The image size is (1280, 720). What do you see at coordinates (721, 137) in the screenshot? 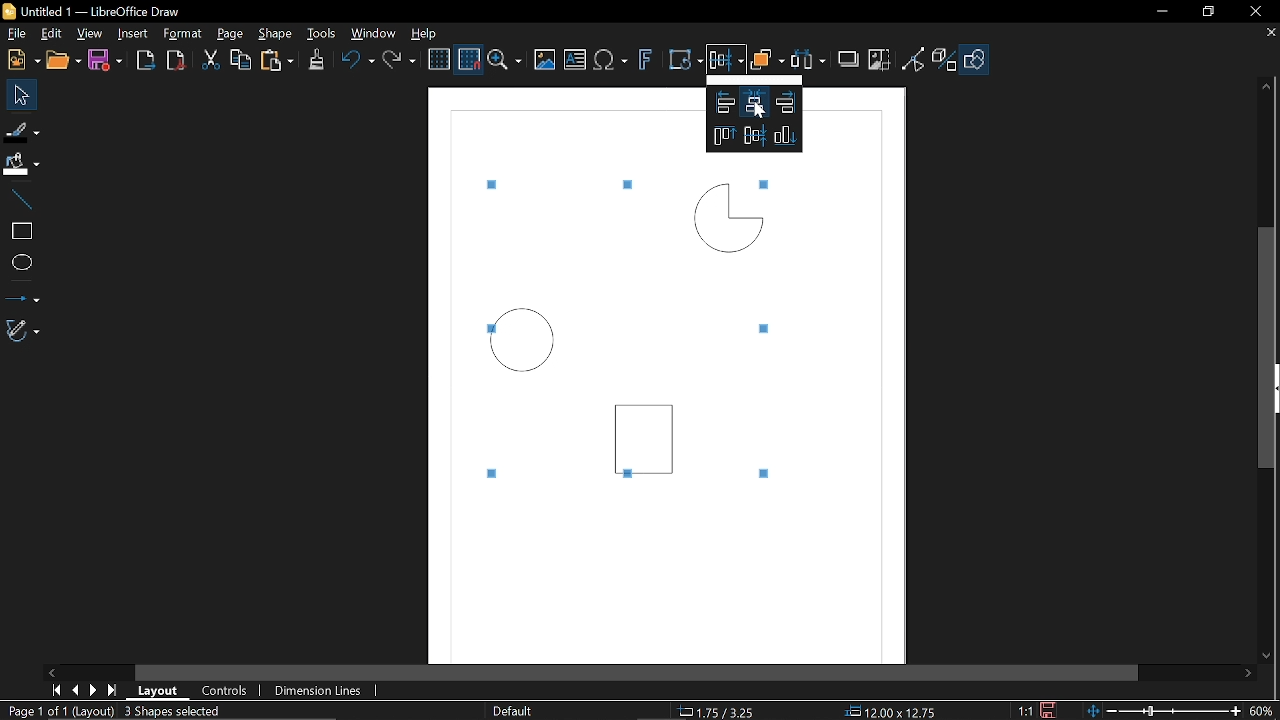
I see `Align top` at bounding box center [721, 137].